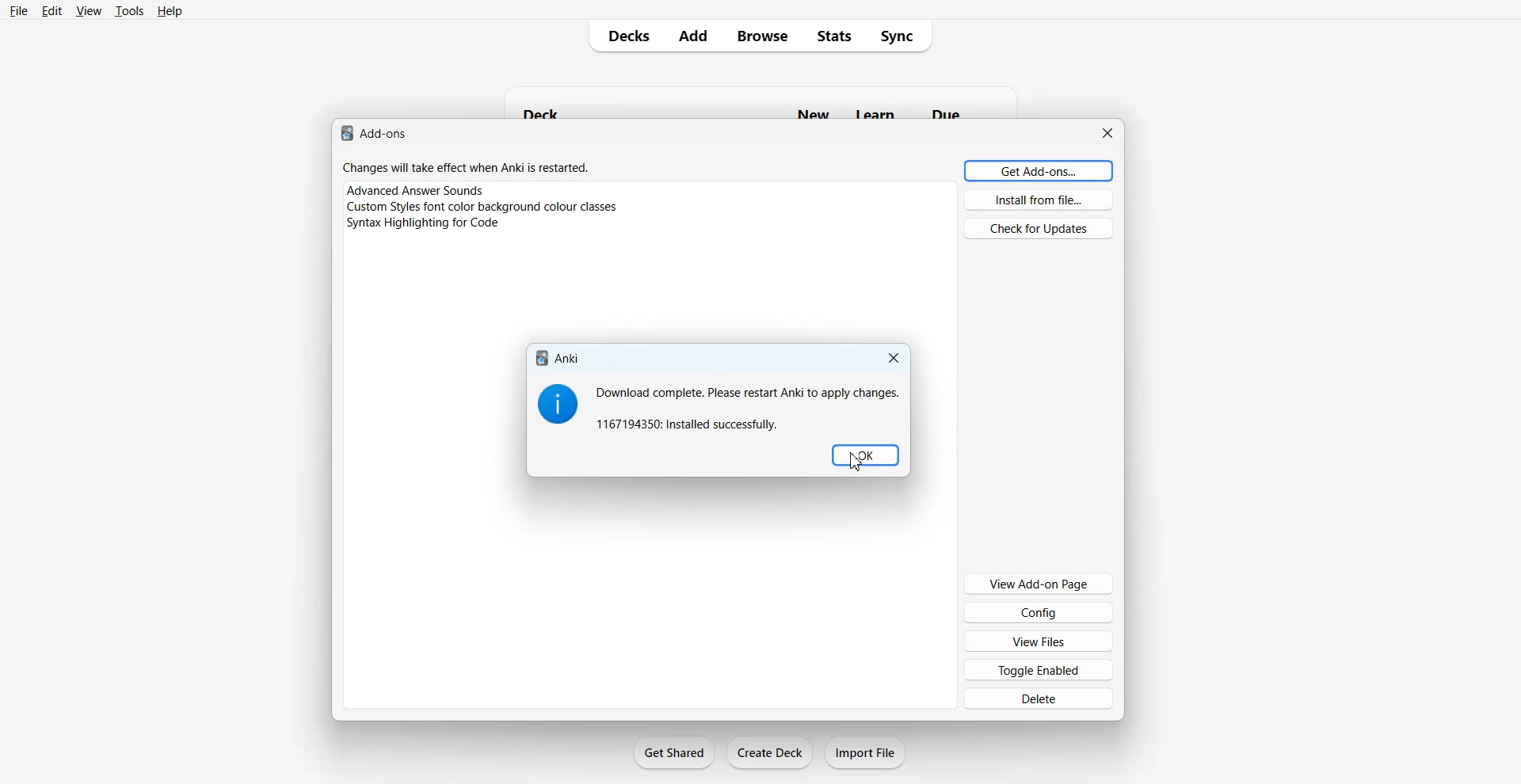 This screenshot has height=784, width=1521. Describe the element at coordinates (688, 424) in the screenshot. I see `1167194350: Installed successfully.` at that location.